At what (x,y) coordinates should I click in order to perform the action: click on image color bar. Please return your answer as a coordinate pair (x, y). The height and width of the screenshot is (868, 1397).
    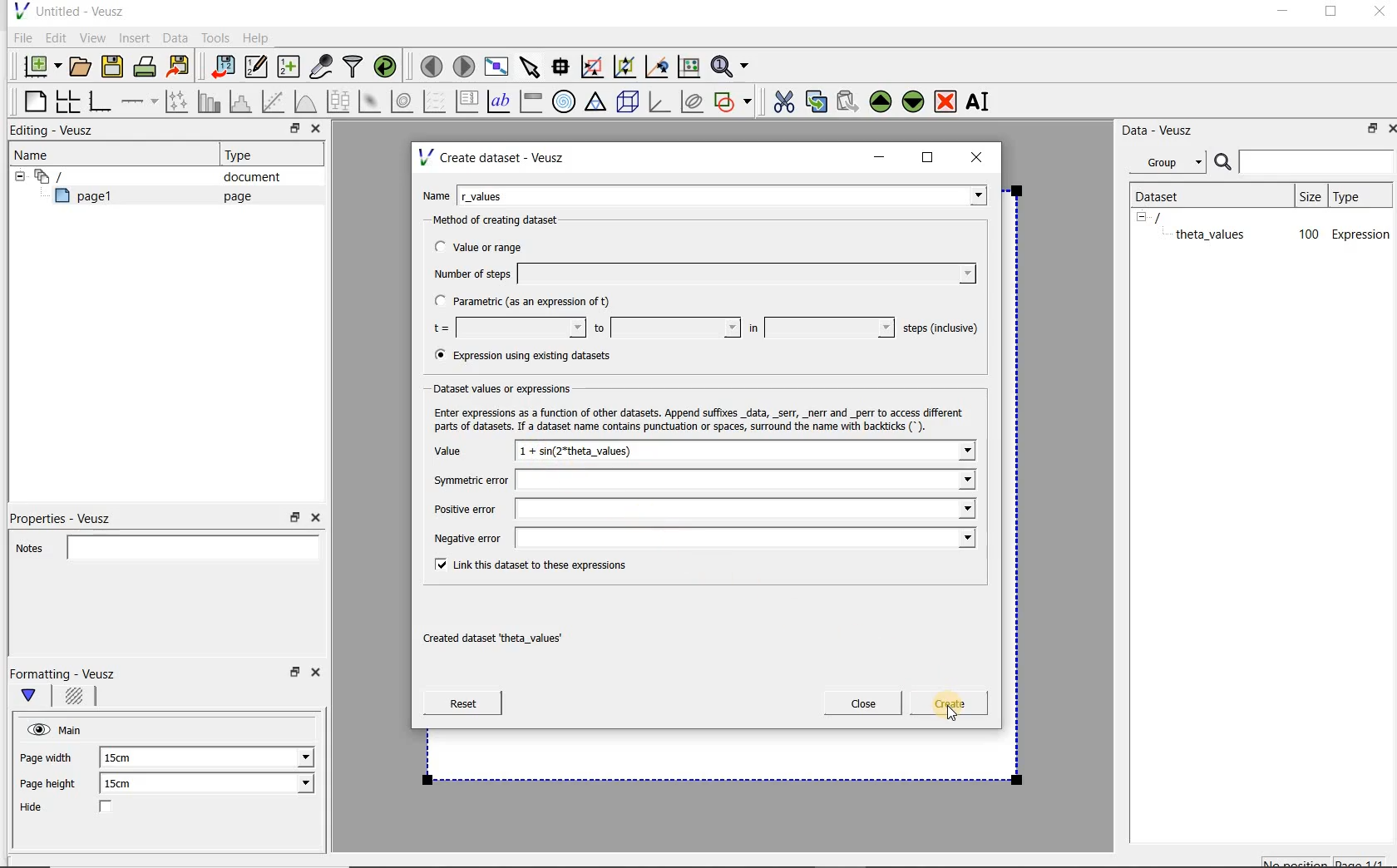
    Looking at the image, I should click on (531, 101).